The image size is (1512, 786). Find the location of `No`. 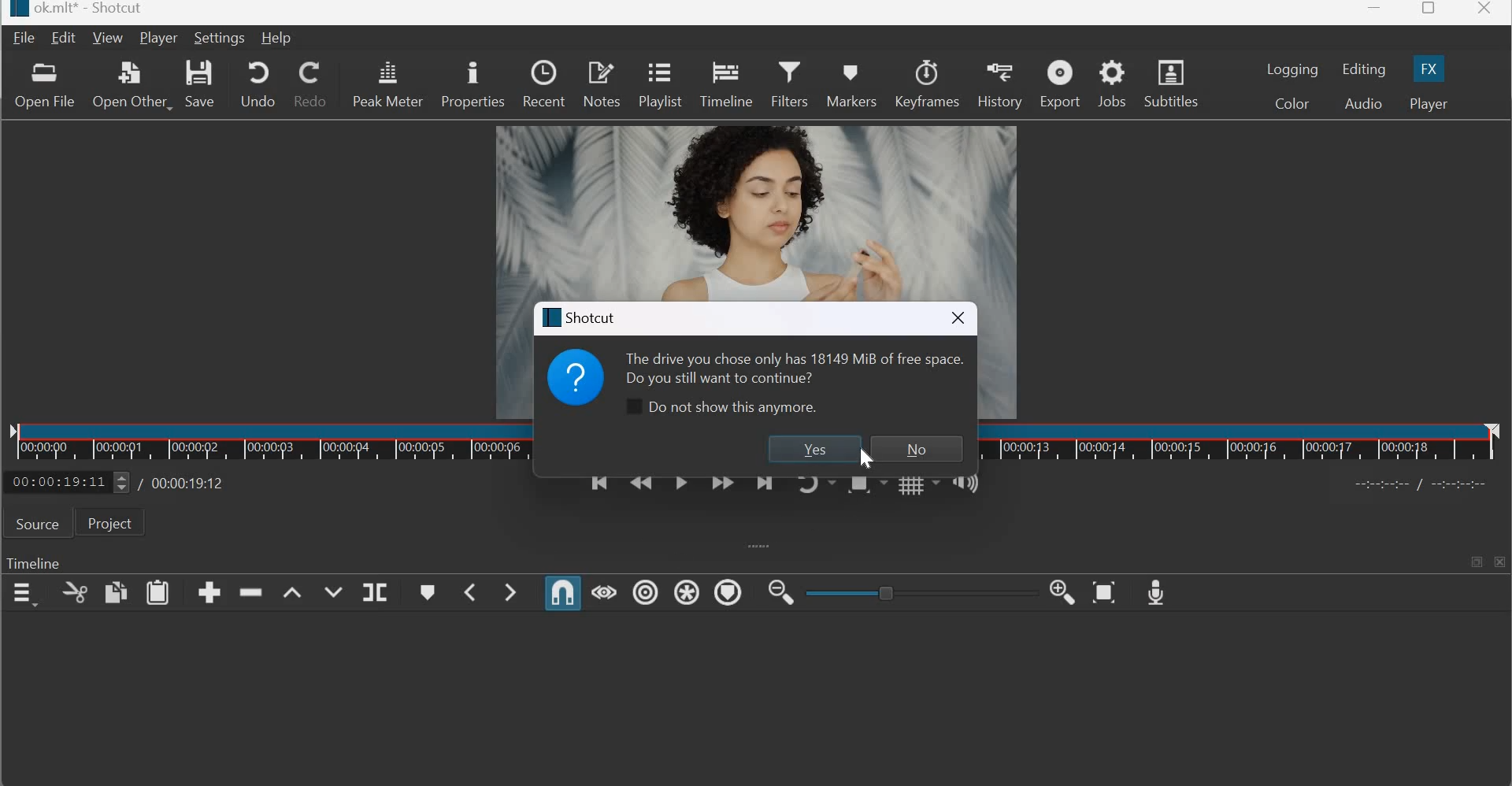

No is located at coordinates (913, 449).